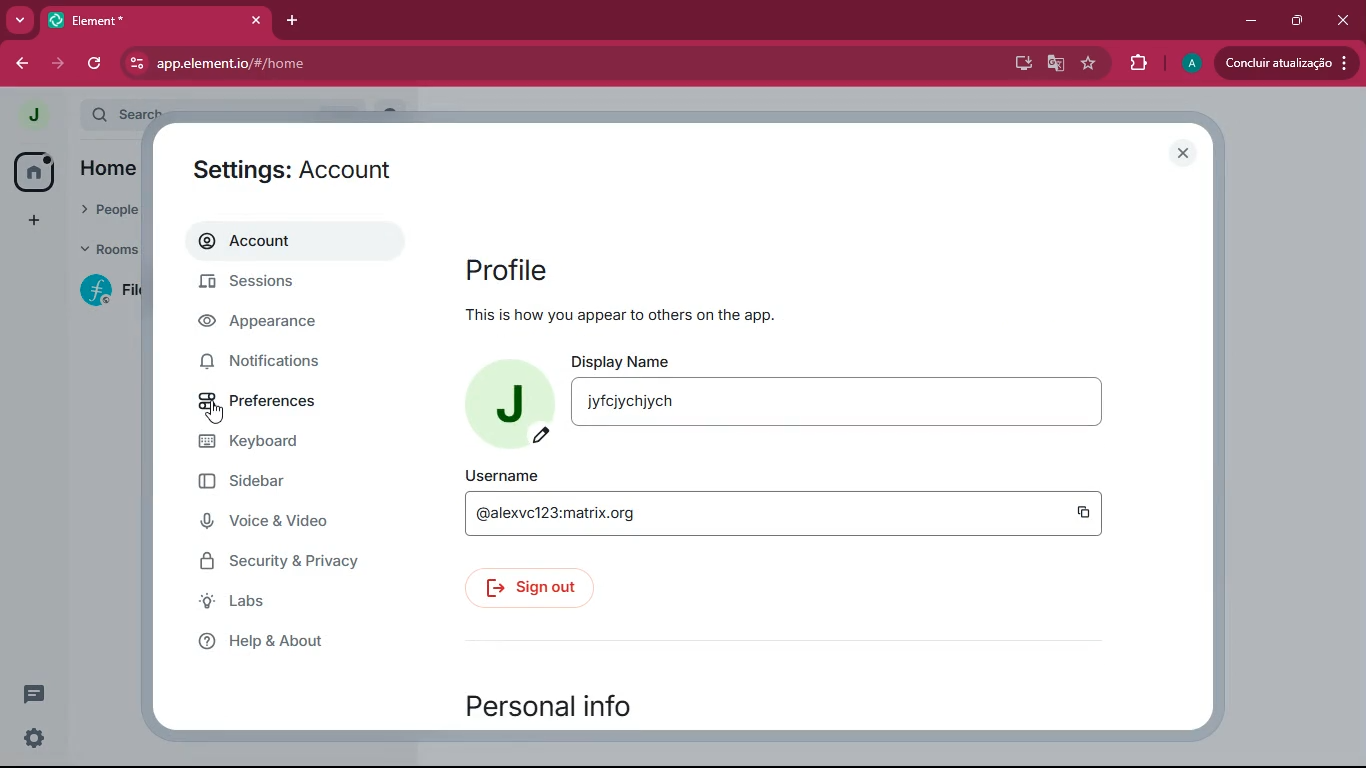 Image resolution: width=1366 pixels, height=768 pixels. What do you see at coordinates (272, 482) in the screenshot?
I see `sidebar` at bounding box center [272, 482].